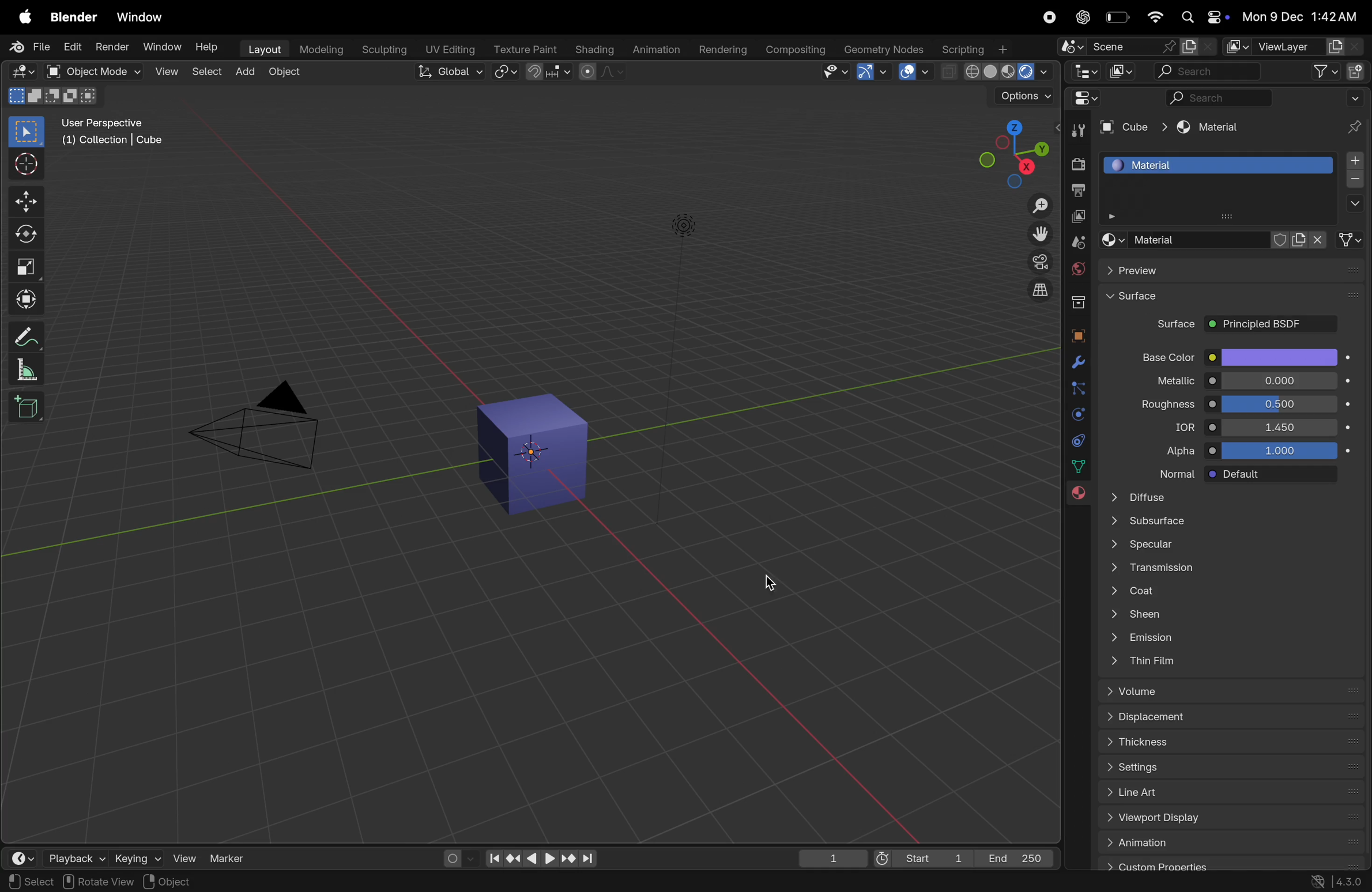 Image resolution: width=1372 pixels, height=892 pixels. Describe the element at coordinates (178, 857) in the screenshot. I see `view` at that location.